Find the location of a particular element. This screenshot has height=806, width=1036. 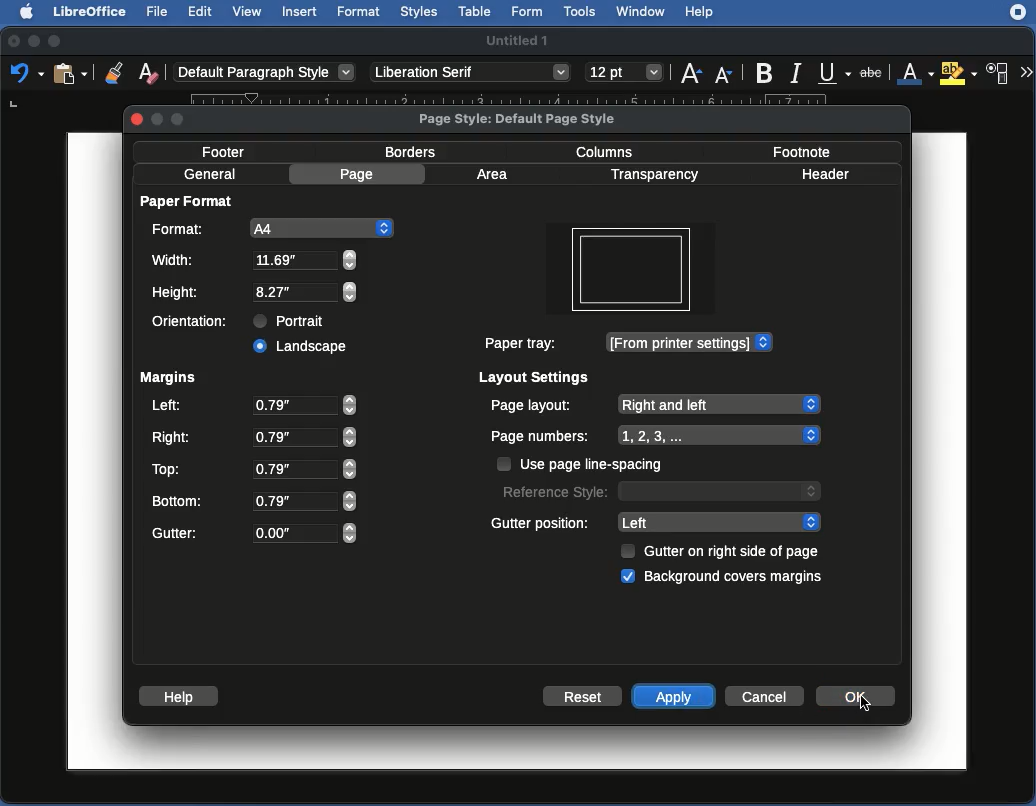

Format is located at coordinates (361, 13).